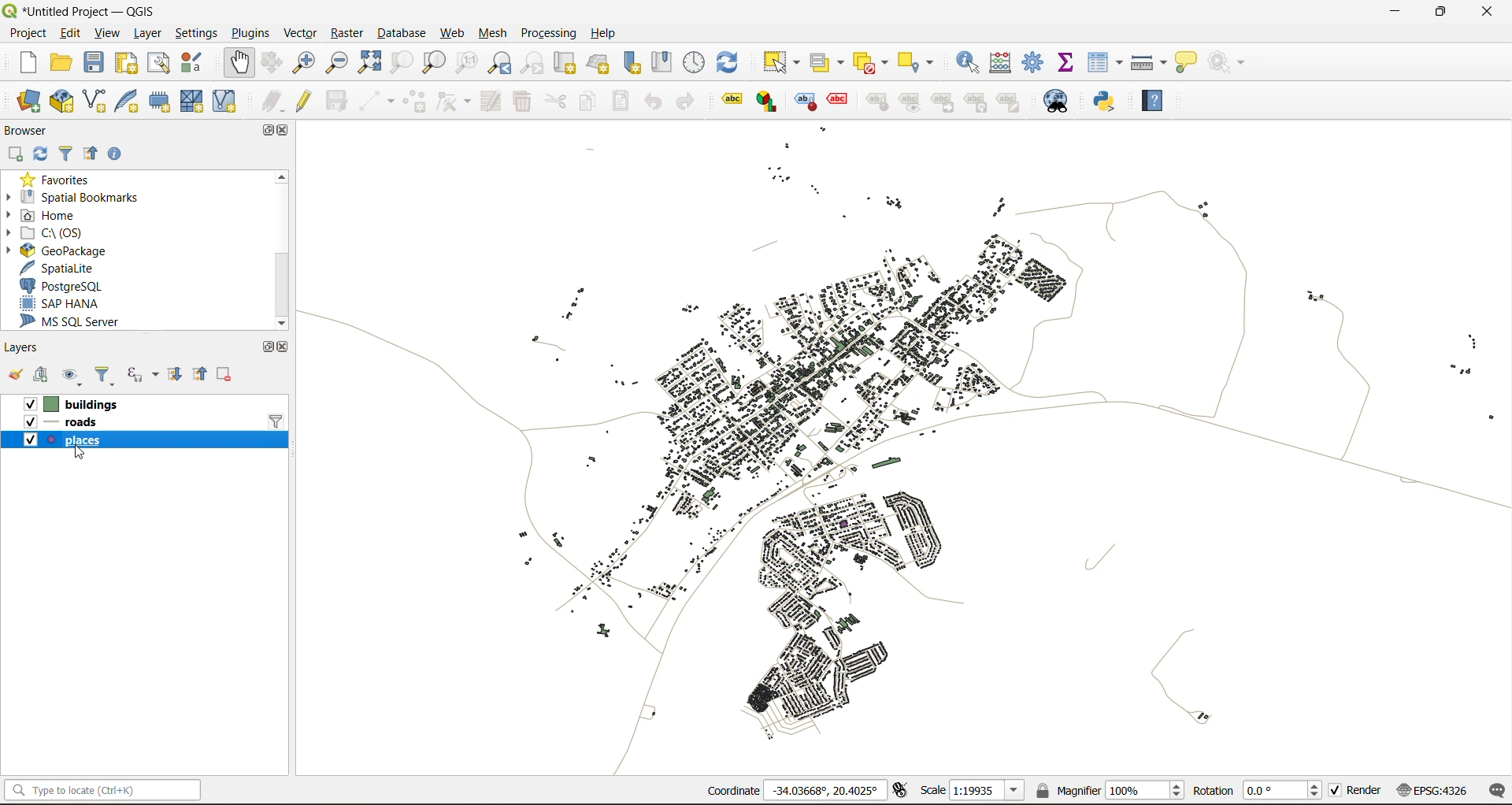 This screenshot has width=1512, height=805. I want to click on python, so click(1110, 103).